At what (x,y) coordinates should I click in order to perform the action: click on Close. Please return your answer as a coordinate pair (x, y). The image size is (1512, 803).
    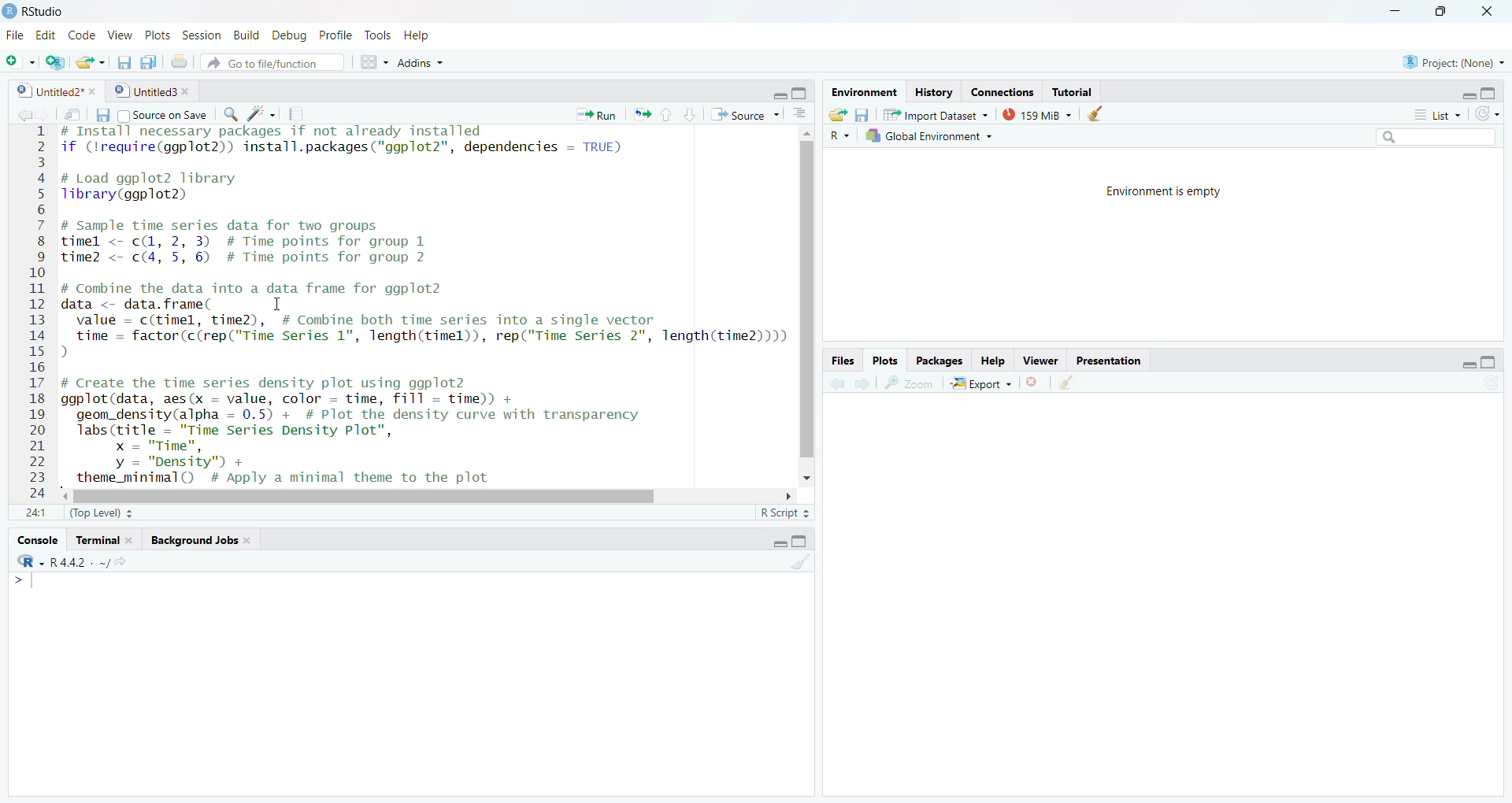
    Looking at the image, I should click on (1487, 13).